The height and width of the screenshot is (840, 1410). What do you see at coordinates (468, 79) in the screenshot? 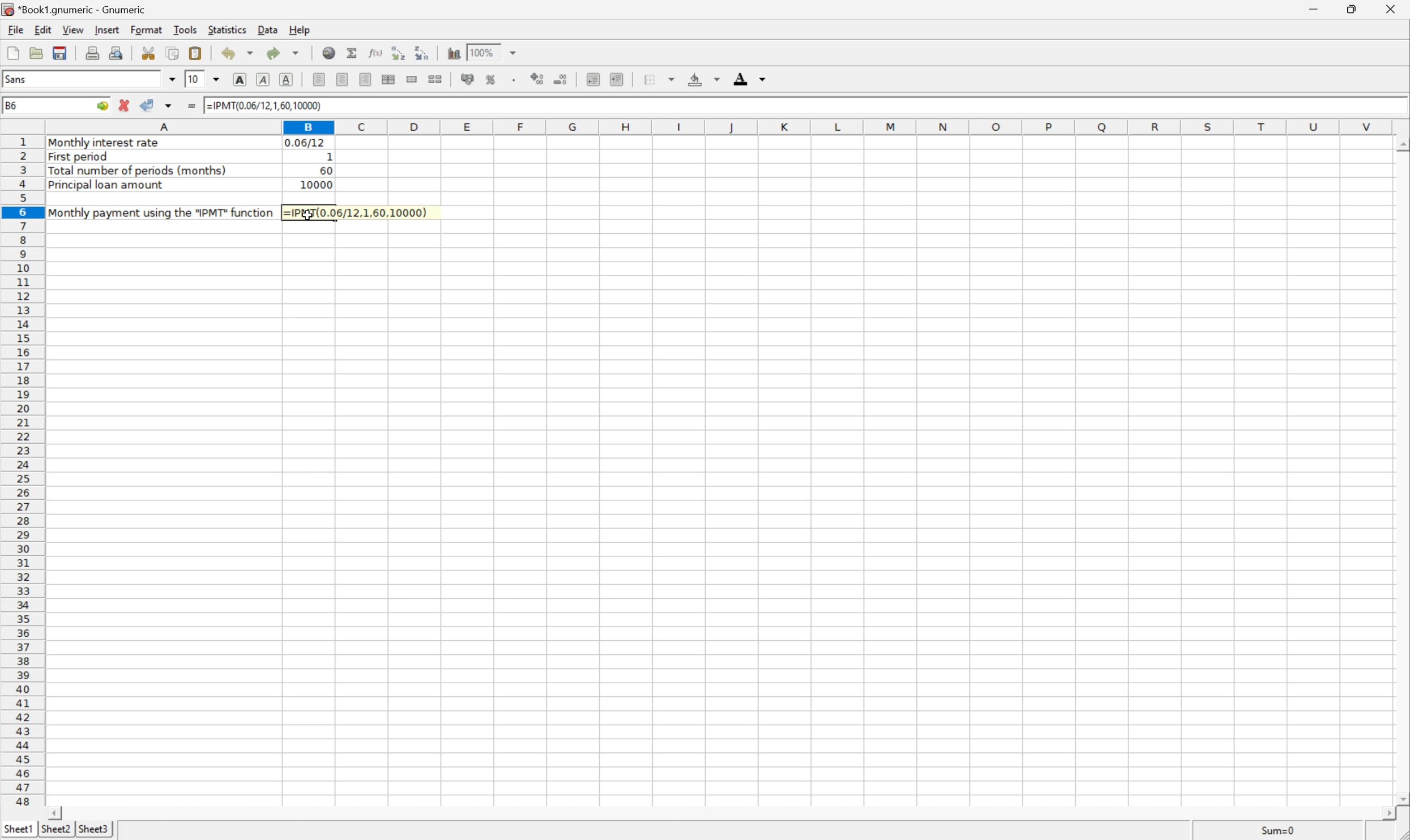
I see `Format the selection as accounting` at bounding box center [468, 79].